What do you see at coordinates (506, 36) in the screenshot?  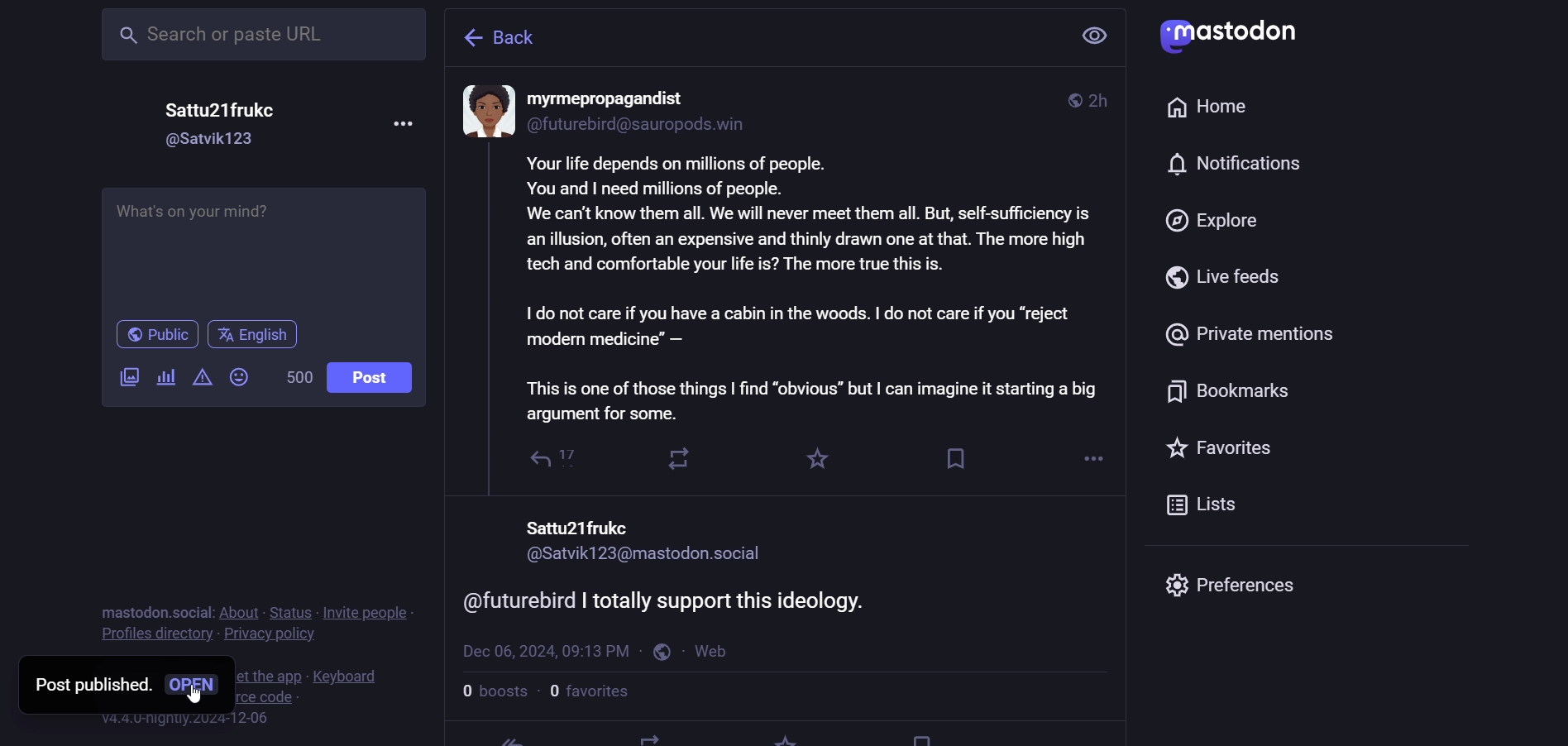 I see `back` at bounding box center [506, 36].